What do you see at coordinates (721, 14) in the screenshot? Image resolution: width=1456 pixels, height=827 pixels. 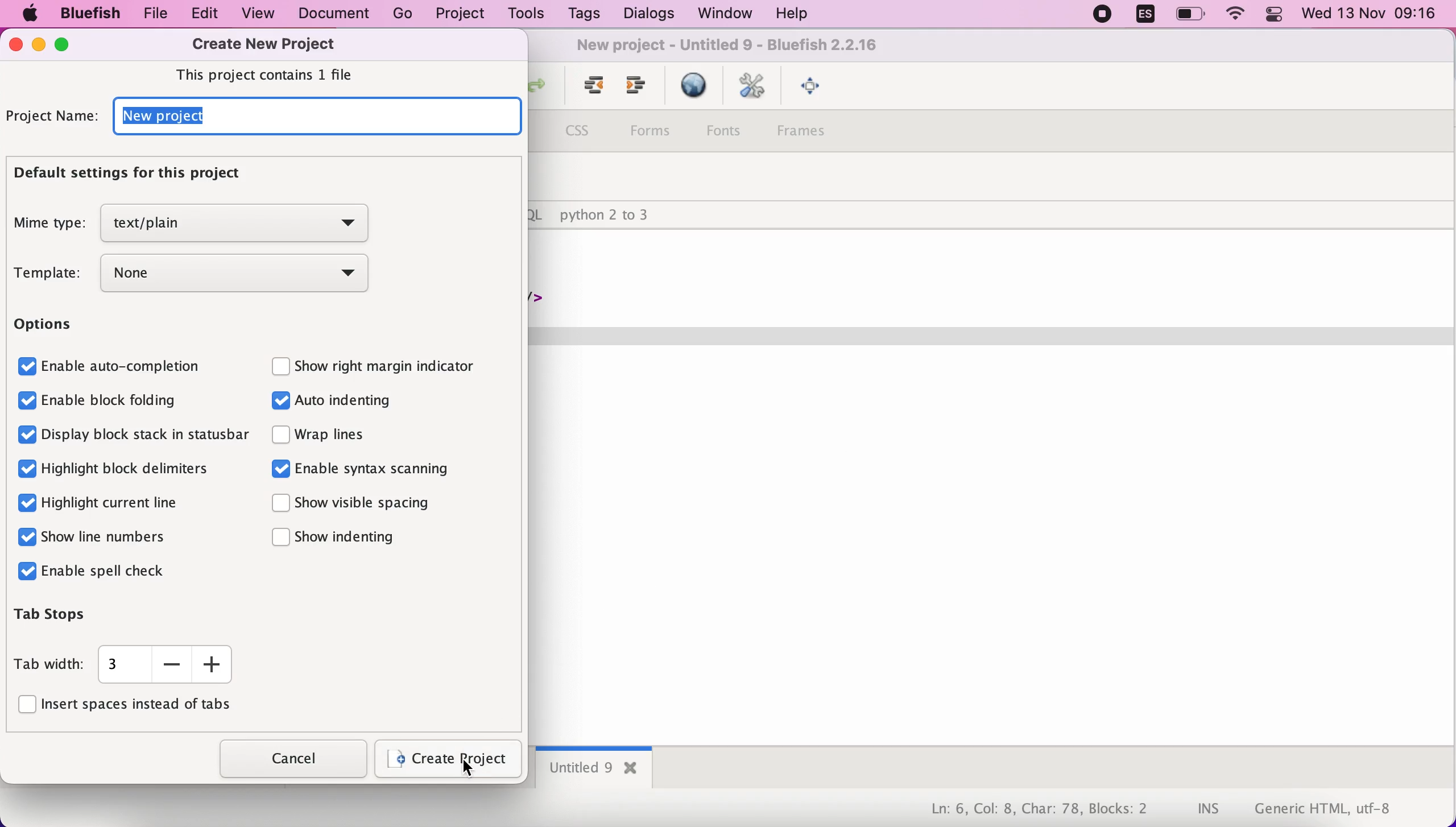 I see `window` at bounding box center [721, 14].